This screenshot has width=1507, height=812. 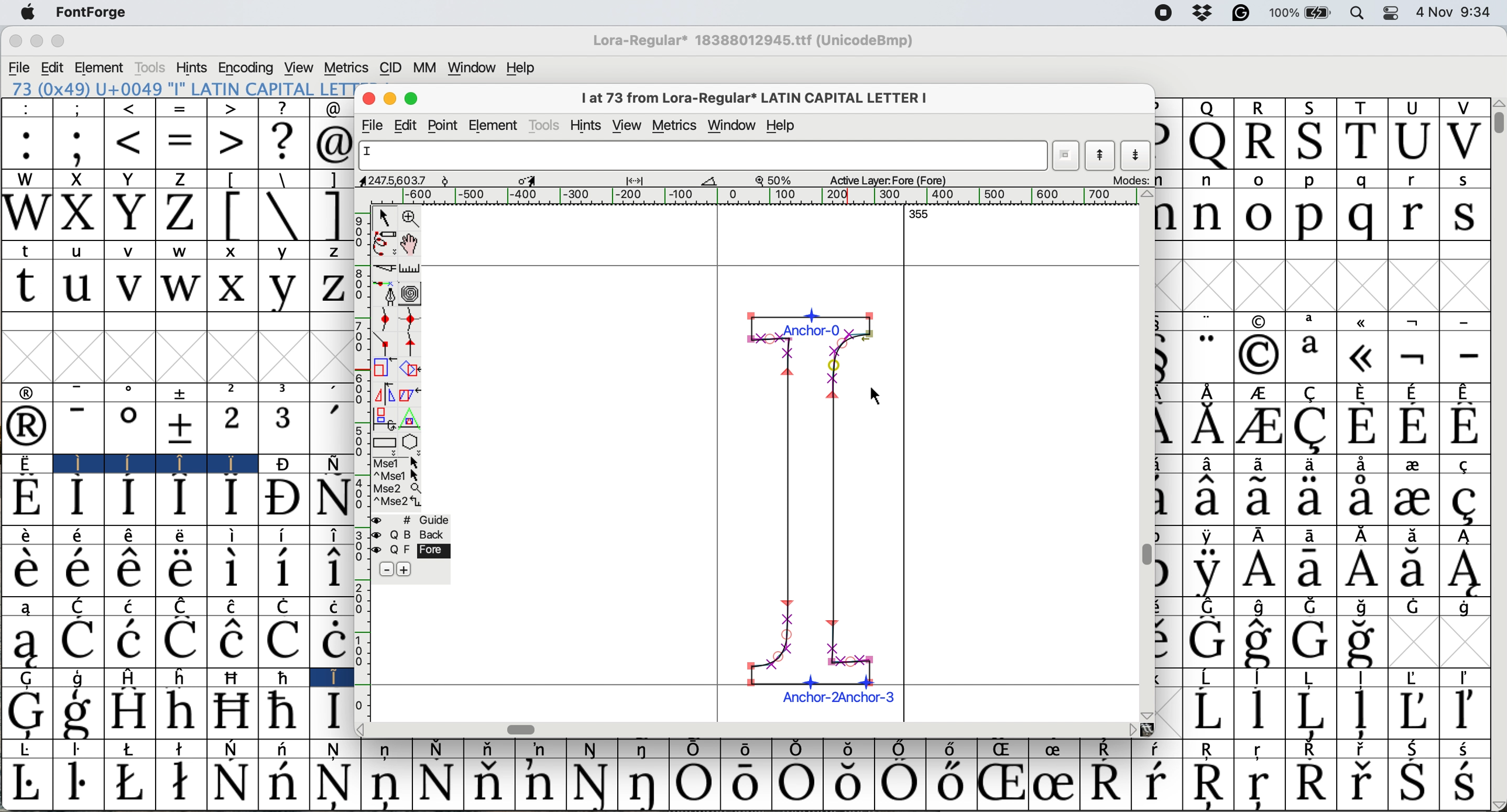 What do you see at coordinates (181, 641) in the screenshot?
I see `Symbol` at bounding box center [181, 641].